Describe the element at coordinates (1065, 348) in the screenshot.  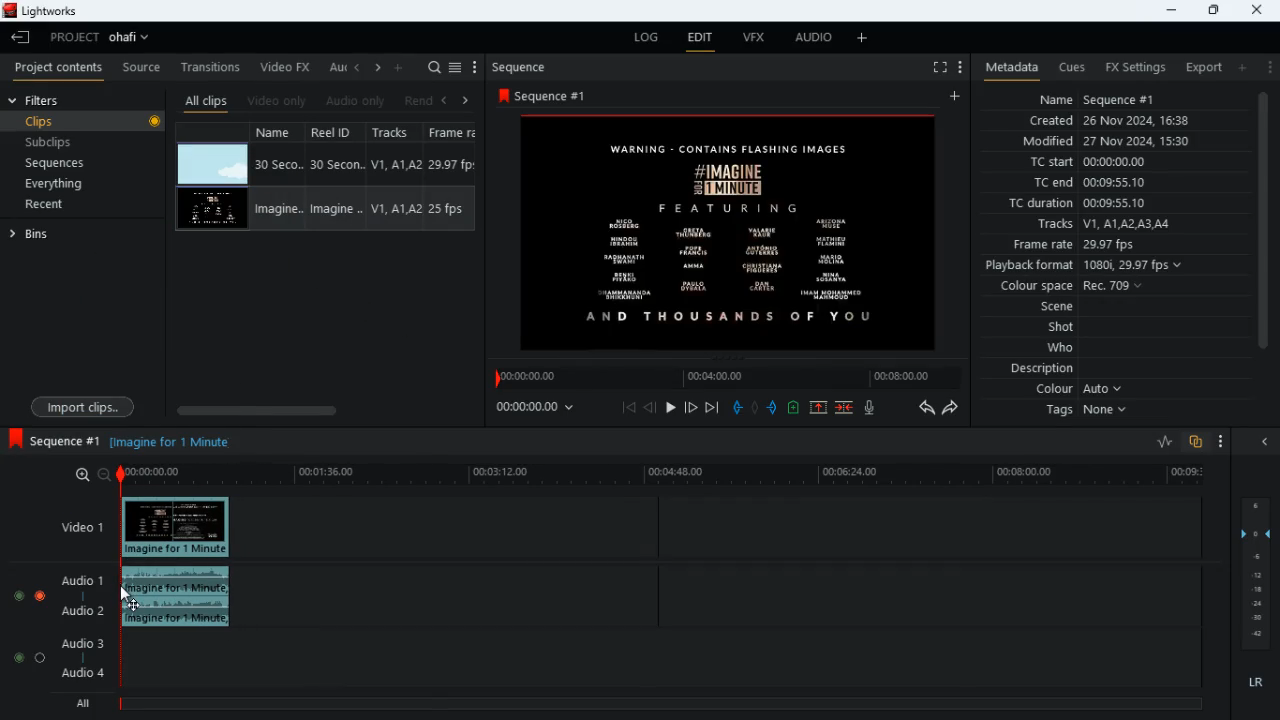
I see `who` at that location.